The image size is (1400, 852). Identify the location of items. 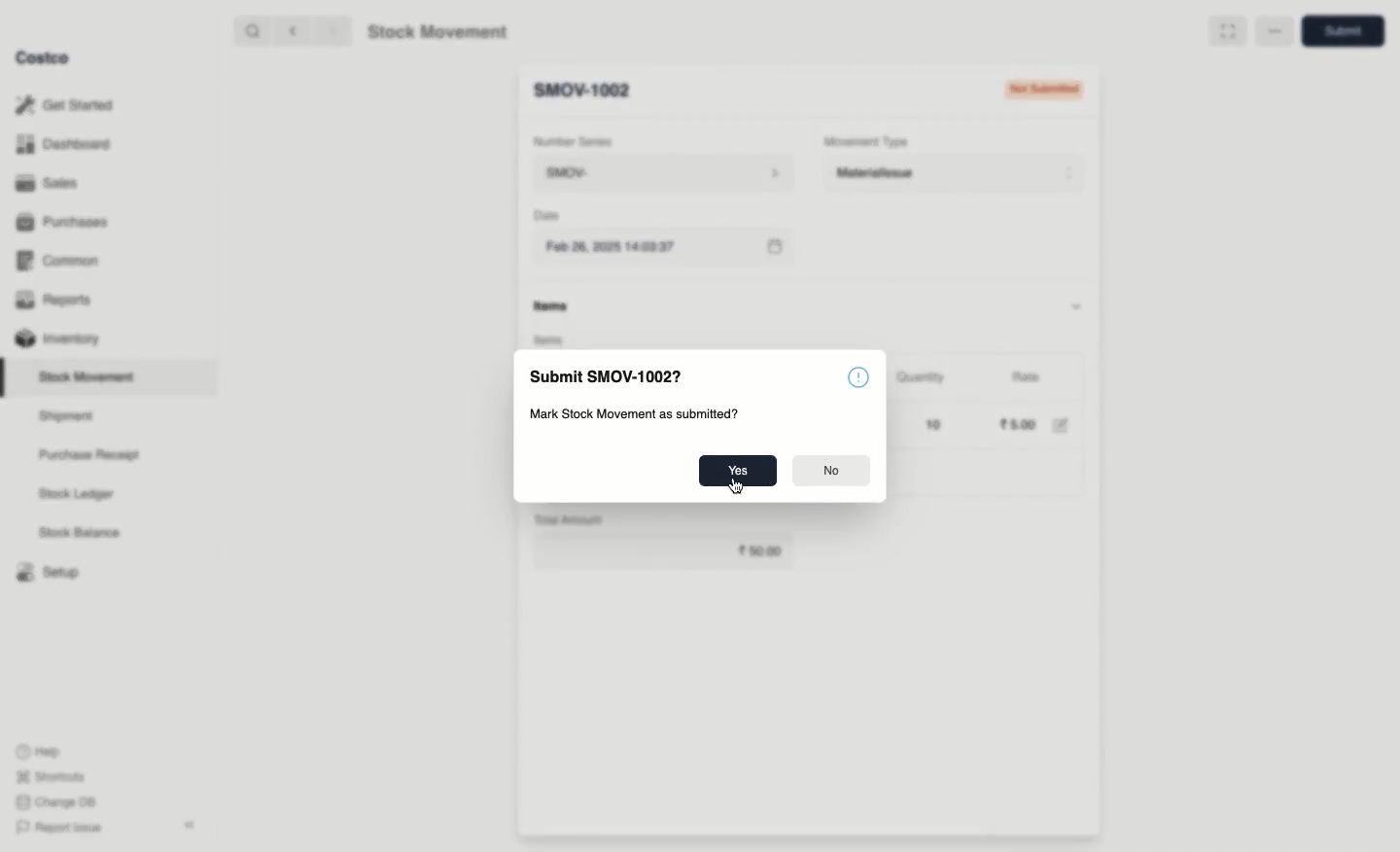
(553, 306).